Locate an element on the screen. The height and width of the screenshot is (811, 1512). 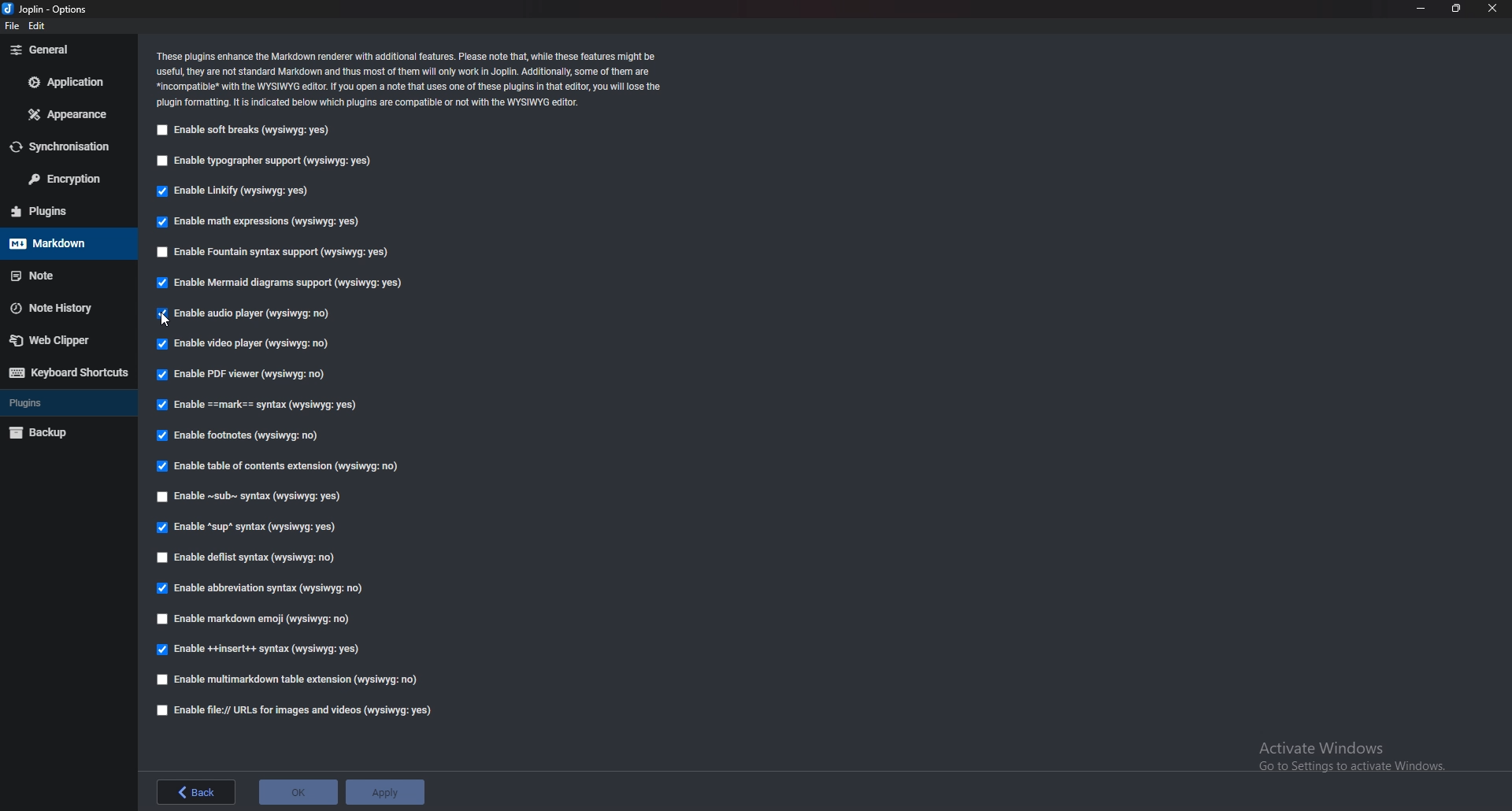
Info is located at coordinates (412, 77).